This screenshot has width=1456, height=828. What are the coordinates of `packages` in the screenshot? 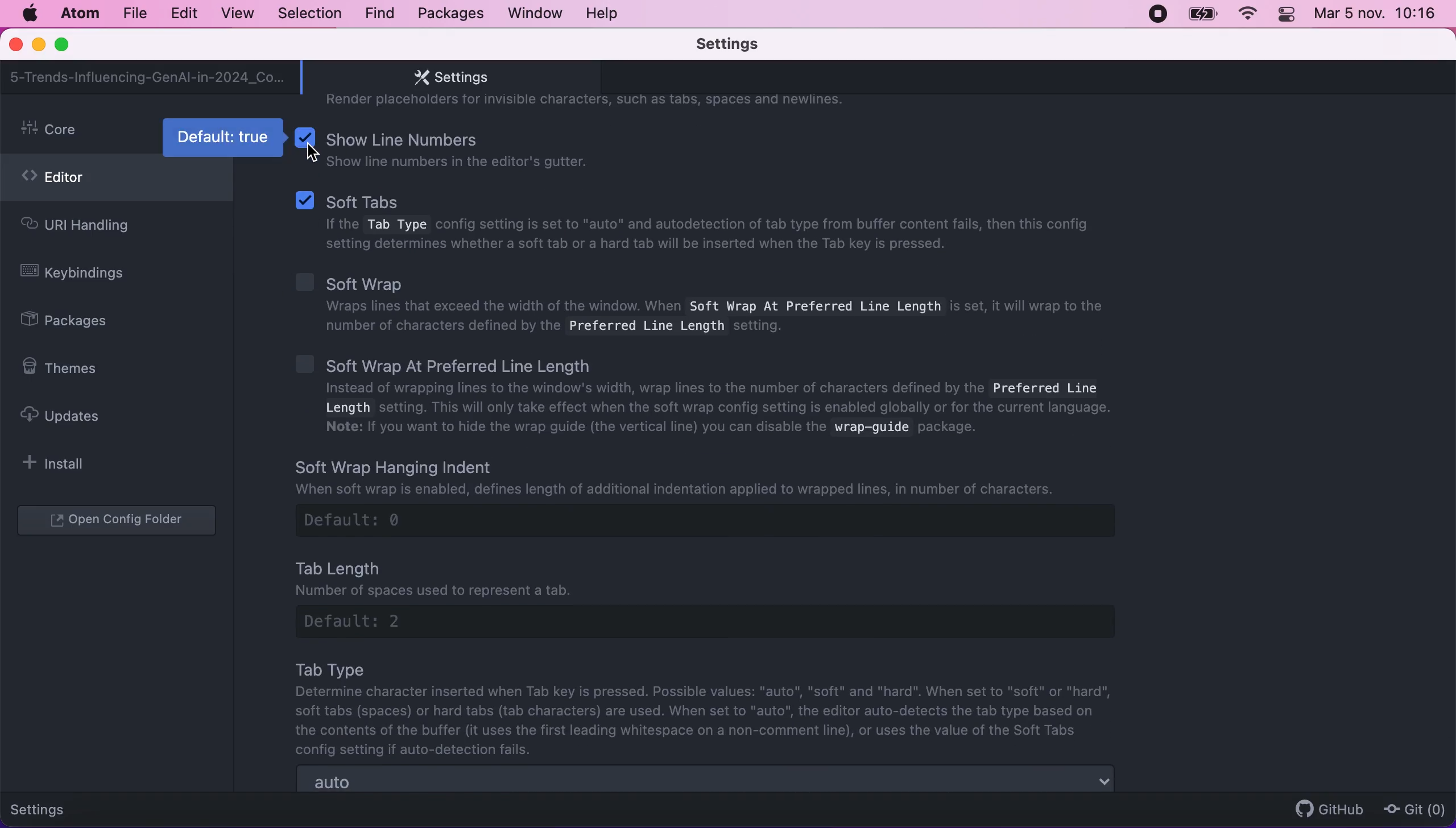 It's located at (77, 322).